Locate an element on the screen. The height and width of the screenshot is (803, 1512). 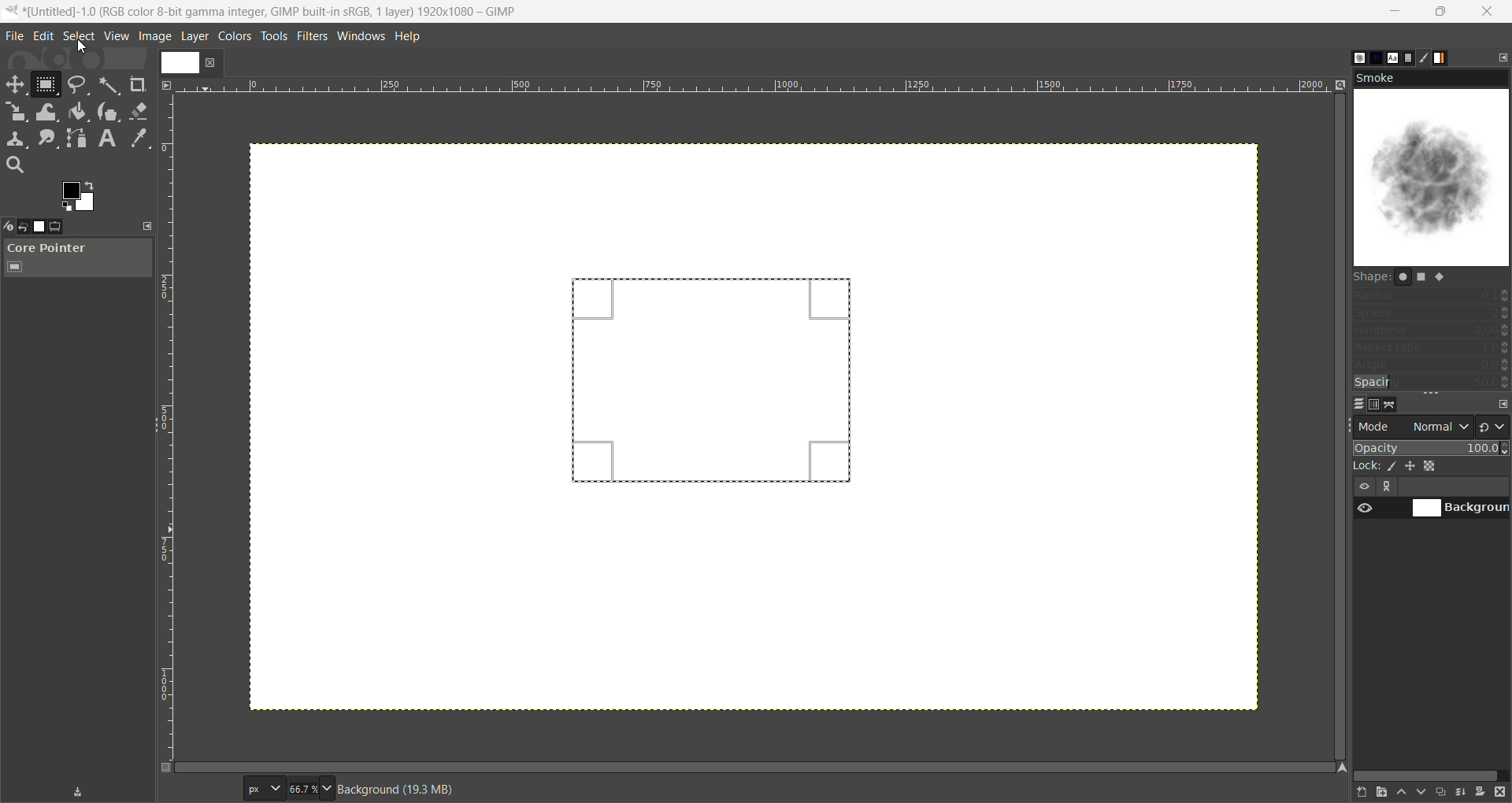
radius is located at coordinates (1431, 296).